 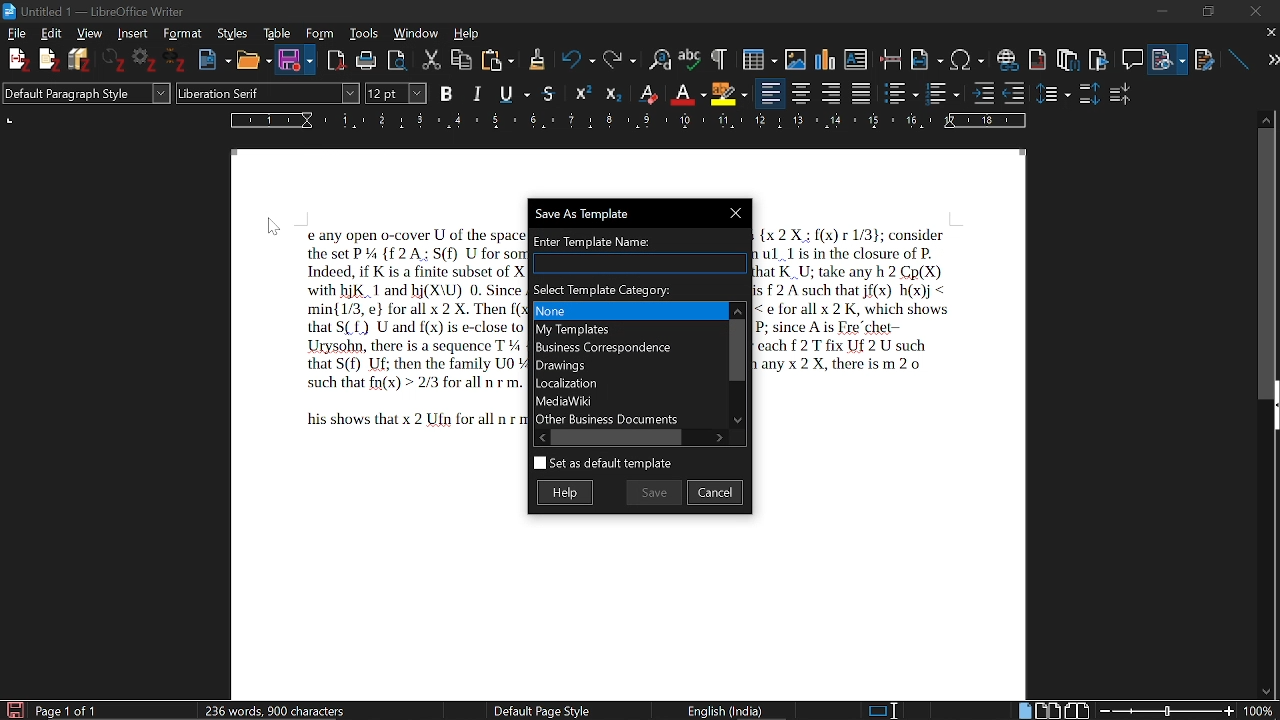 I want to click on Move right, so click(x=721, y=436).